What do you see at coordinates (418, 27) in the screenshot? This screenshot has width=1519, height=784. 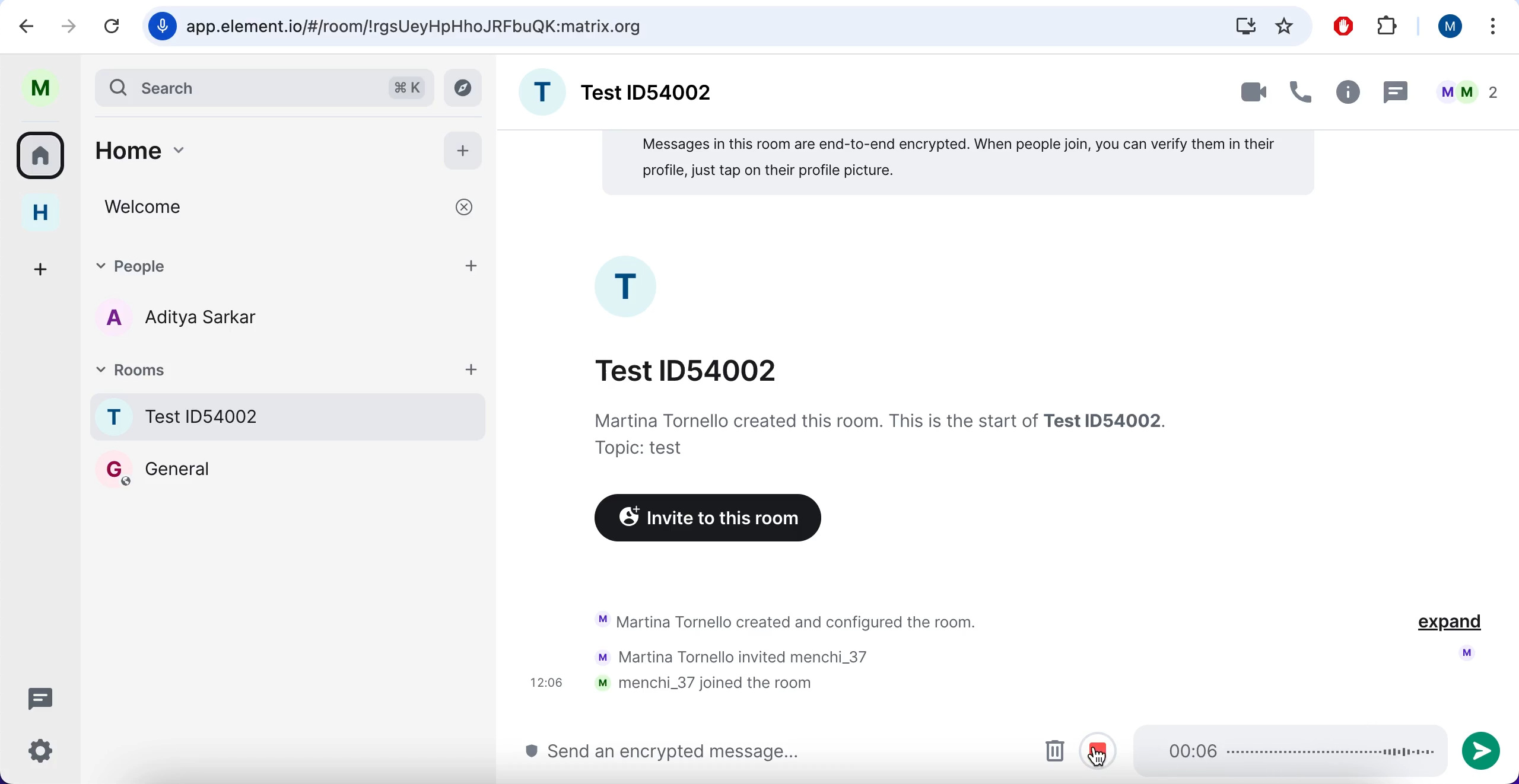 I see `google search` at bounding box center [418, 27].